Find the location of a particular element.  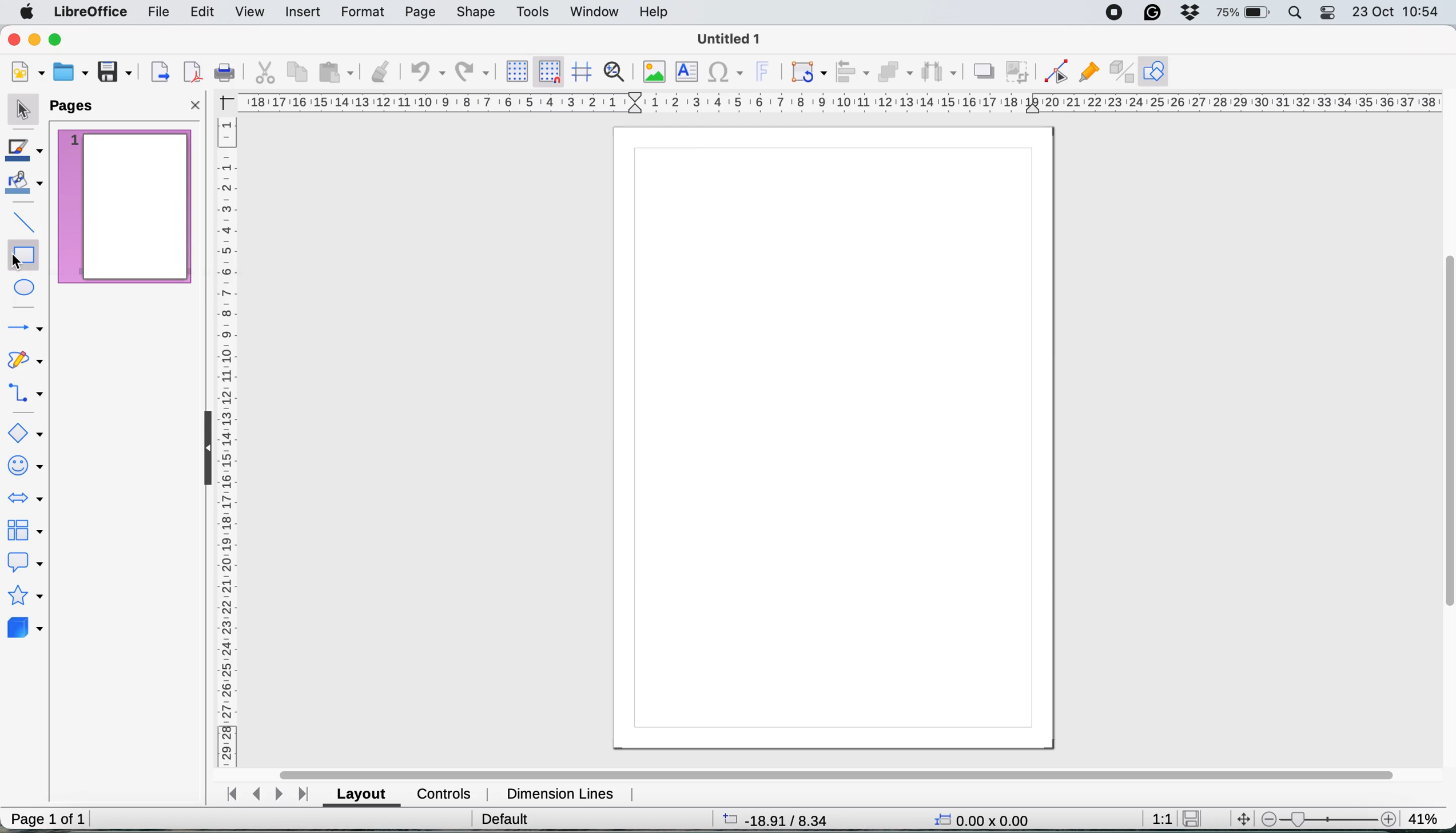

Untitled 1 is located at coordinates (726, 40).